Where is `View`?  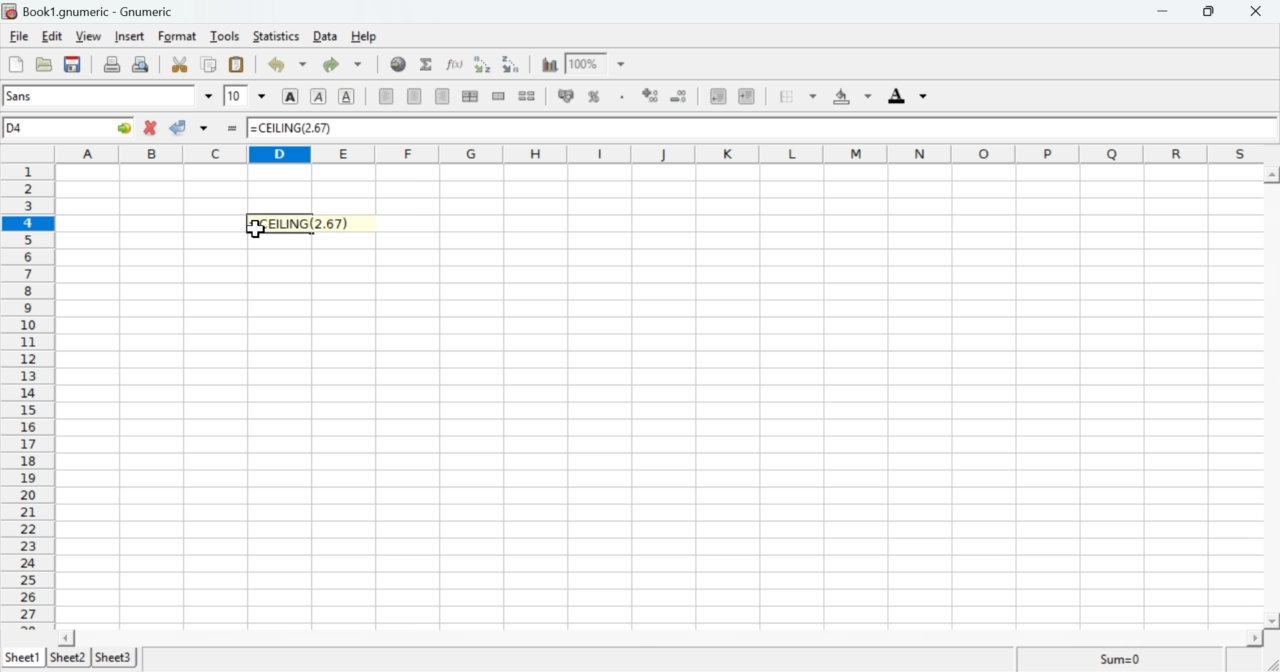 View is located at coordinates (87, 37).